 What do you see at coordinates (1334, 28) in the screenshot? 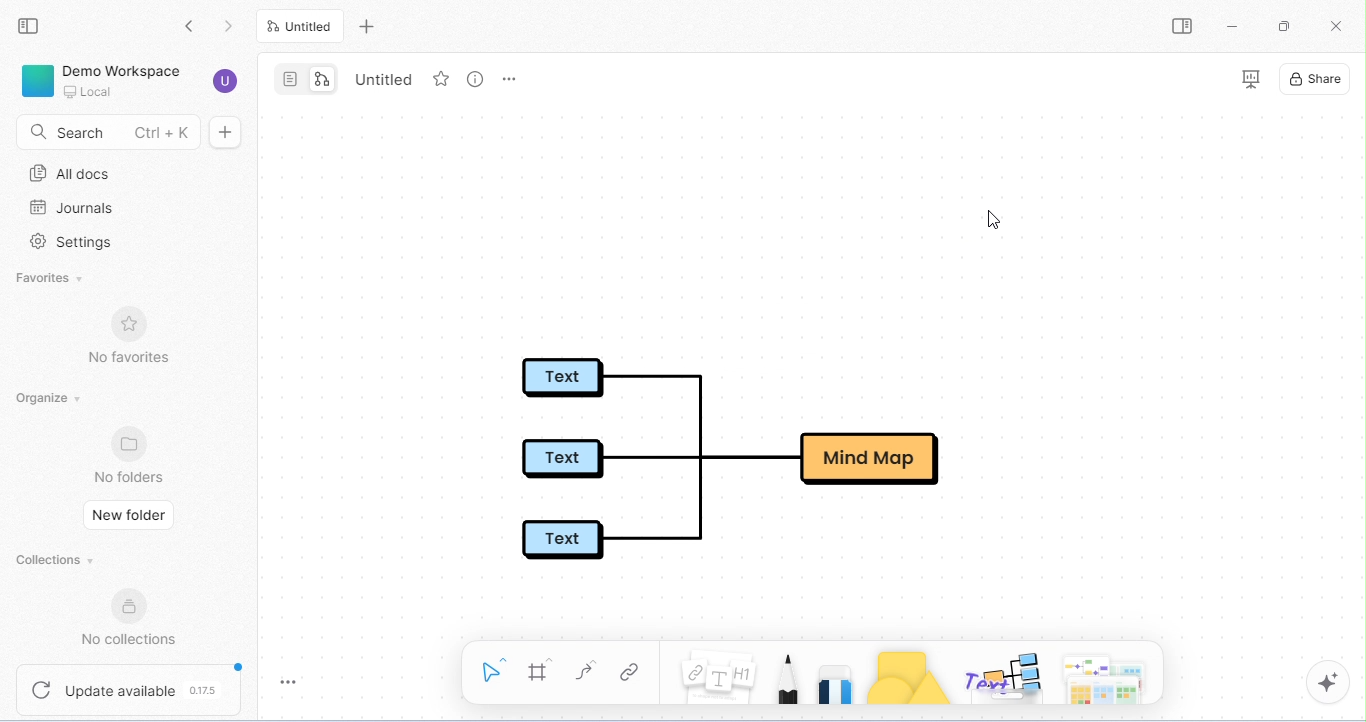
I see `close` at bounding box center [1334, 28].